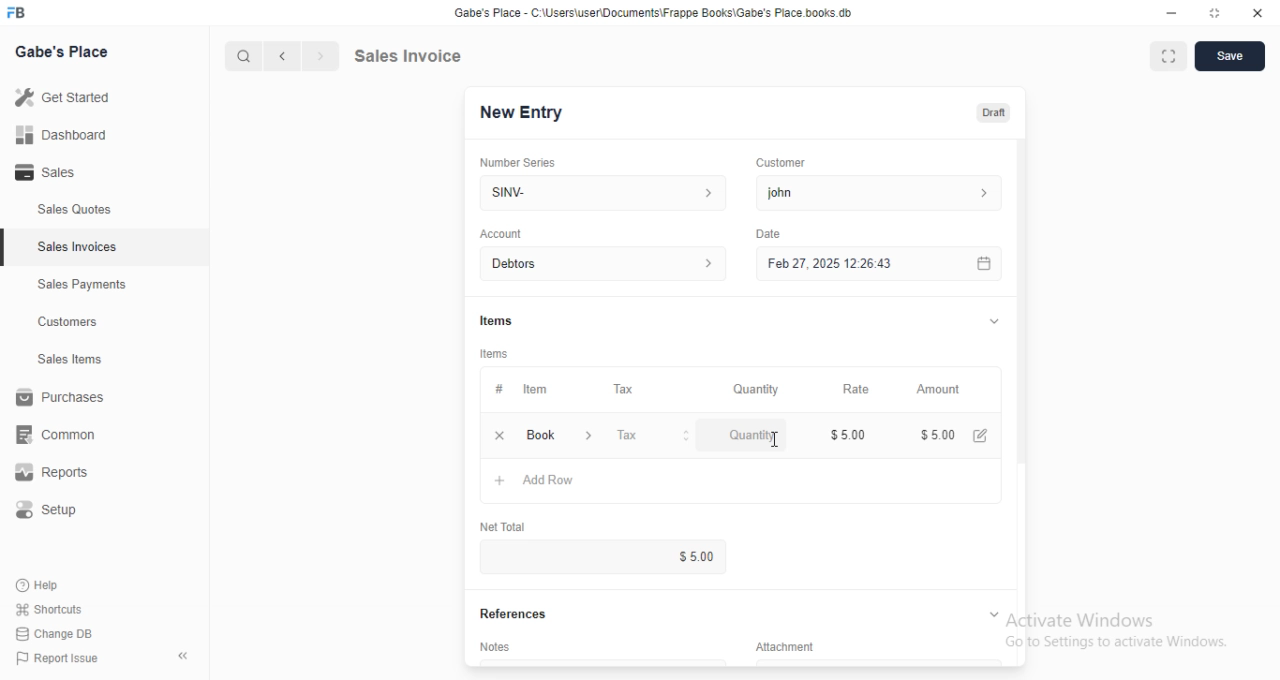 This screenshot has width=1280, height=680. I want to click on Next, so click(319, 54).